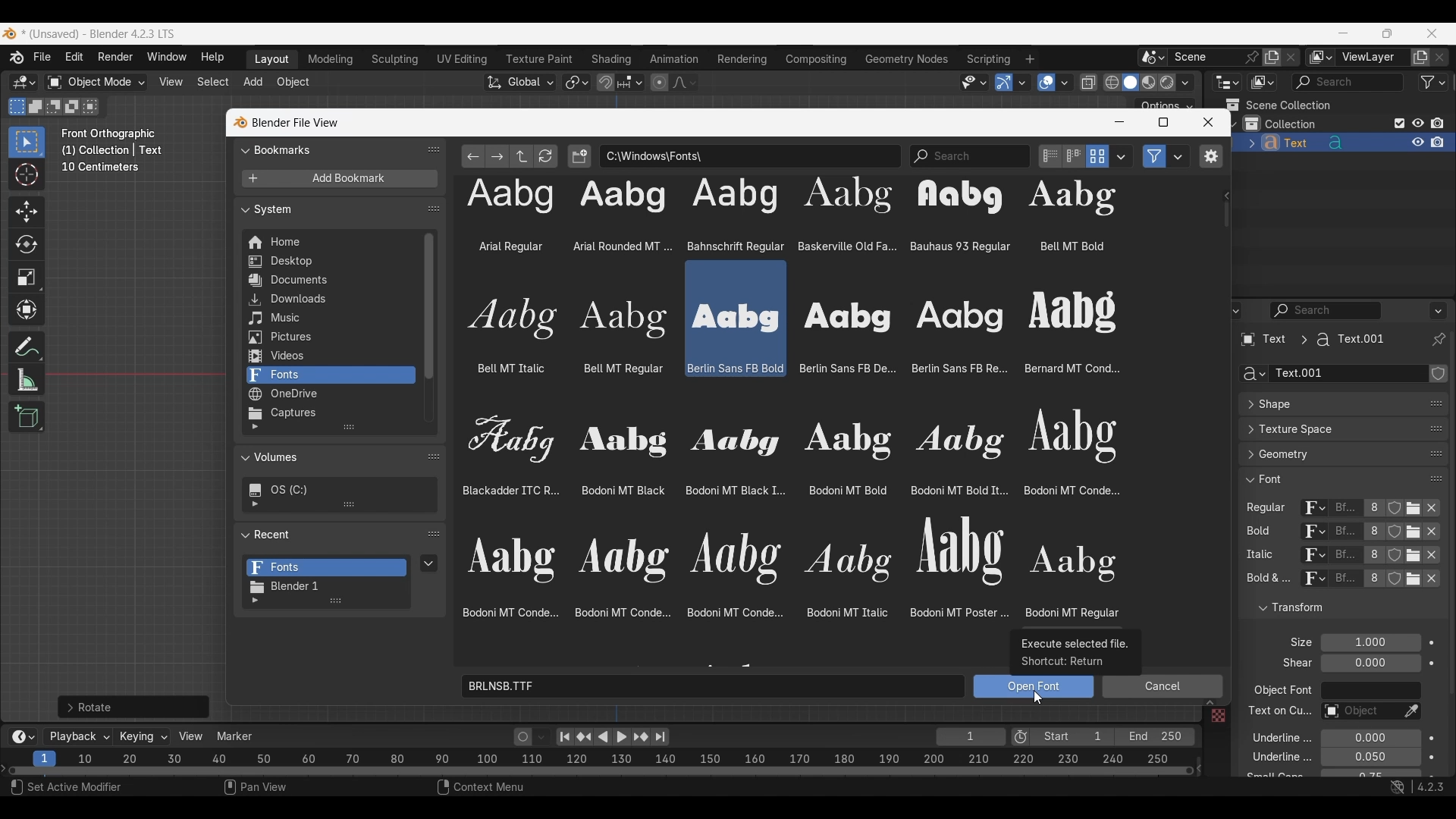 The height and width of the screenshot is (819, 1456). Describe the element at coordinates (1262, 83) in the screenshot. I see `Display mode` at that location.